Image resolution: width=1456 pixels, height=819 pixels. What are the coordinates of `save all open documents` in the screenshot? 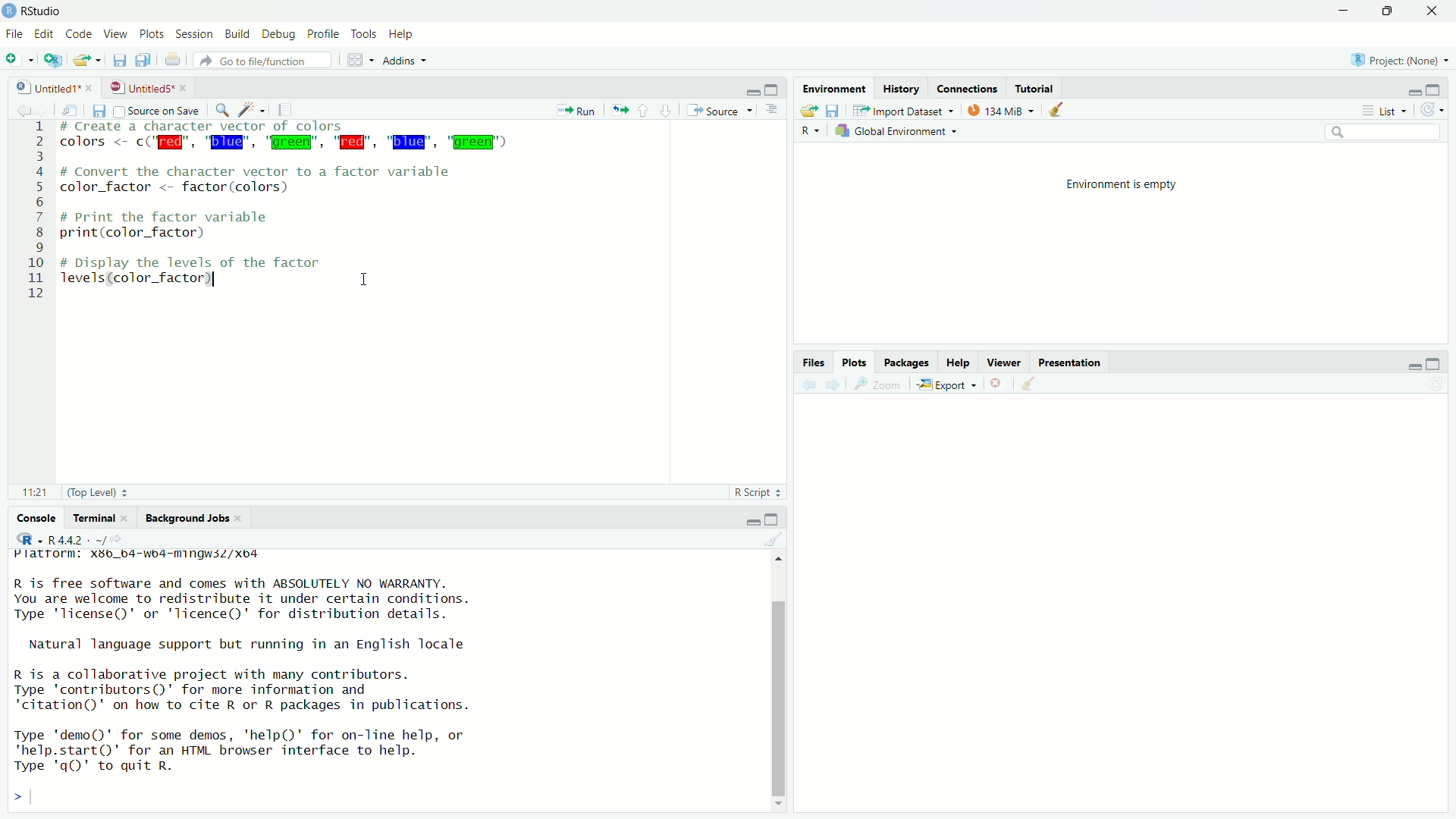 It's located at (144, 61).